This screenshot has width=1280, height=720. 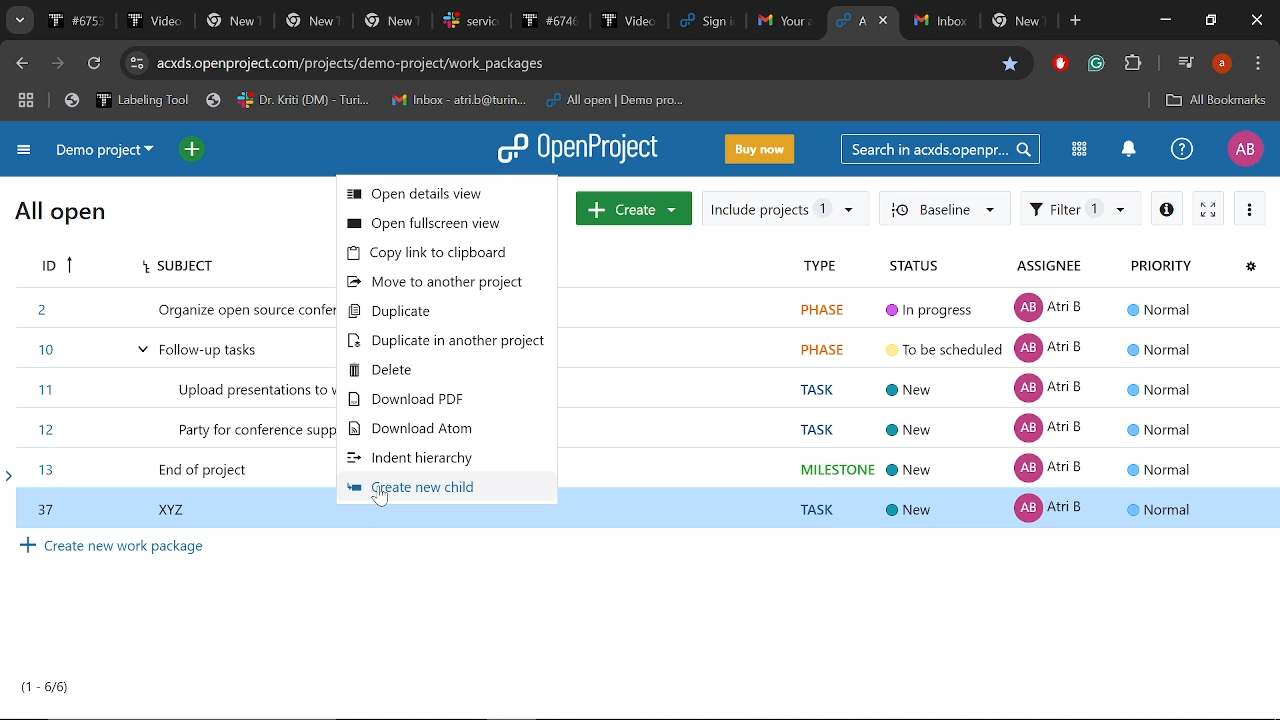 What do you see at coordinates (817, 268) in the screenshot?
I see `Type` at bounding box center [817, 268].